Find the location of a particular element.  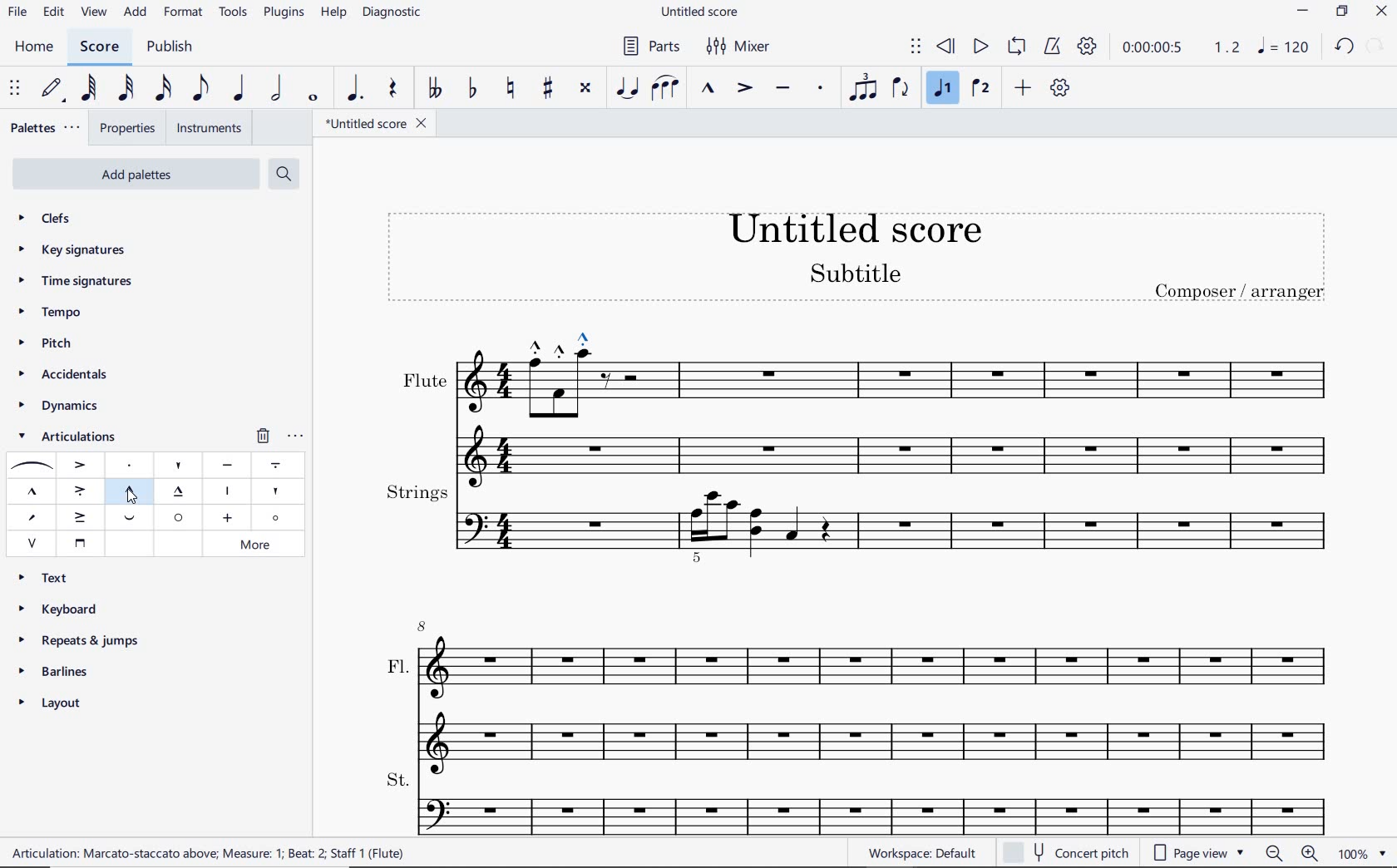

ACCENT ABOVE is located at coordinates (81, 463).